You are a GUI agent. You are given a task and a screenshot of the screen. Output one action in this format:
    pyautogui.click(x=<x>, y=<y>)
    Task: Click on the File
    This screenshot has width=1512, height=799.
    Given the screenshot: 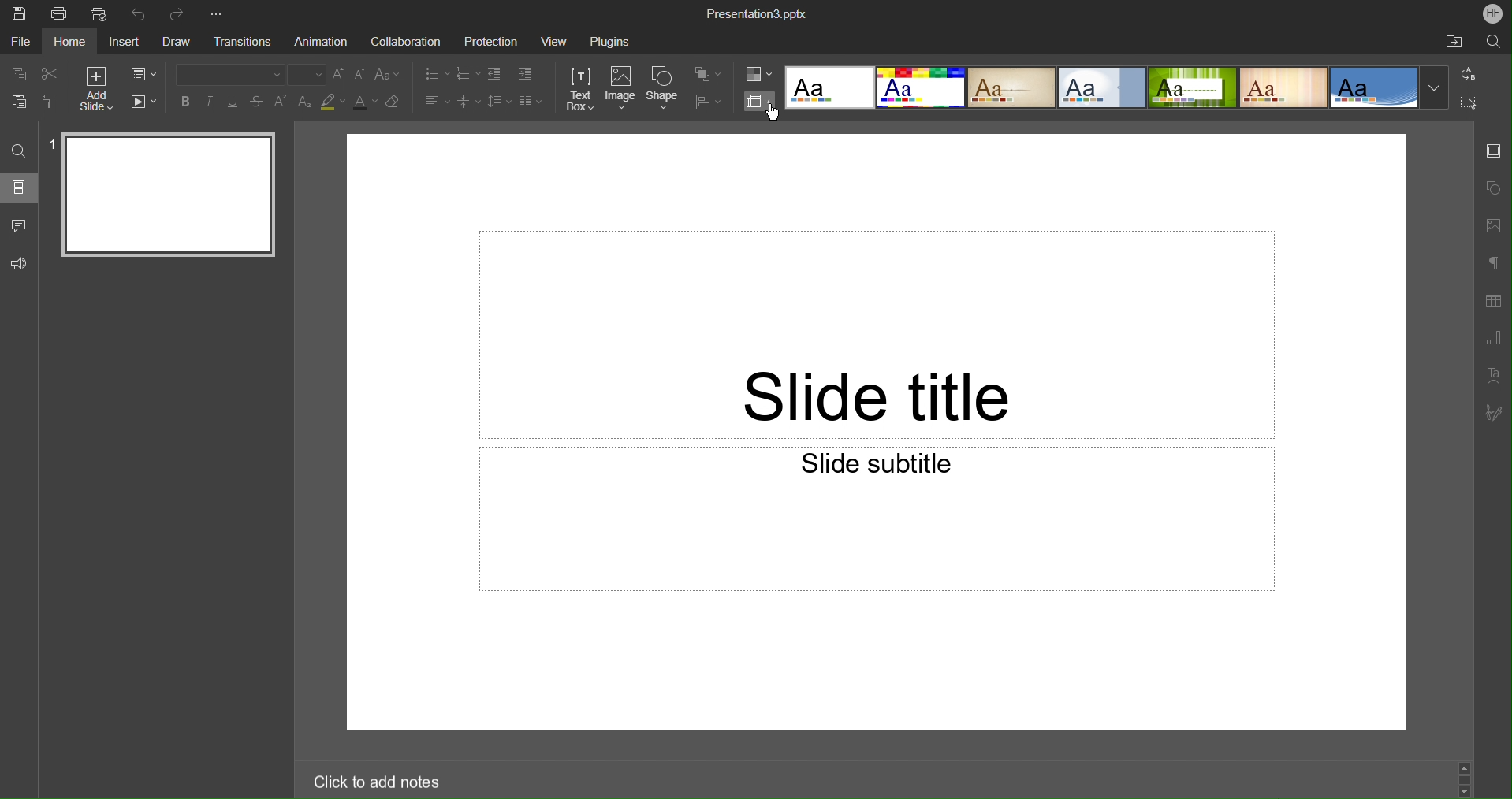 What is the action you would take?
    pyautogui.click(x=19, y=43)
    